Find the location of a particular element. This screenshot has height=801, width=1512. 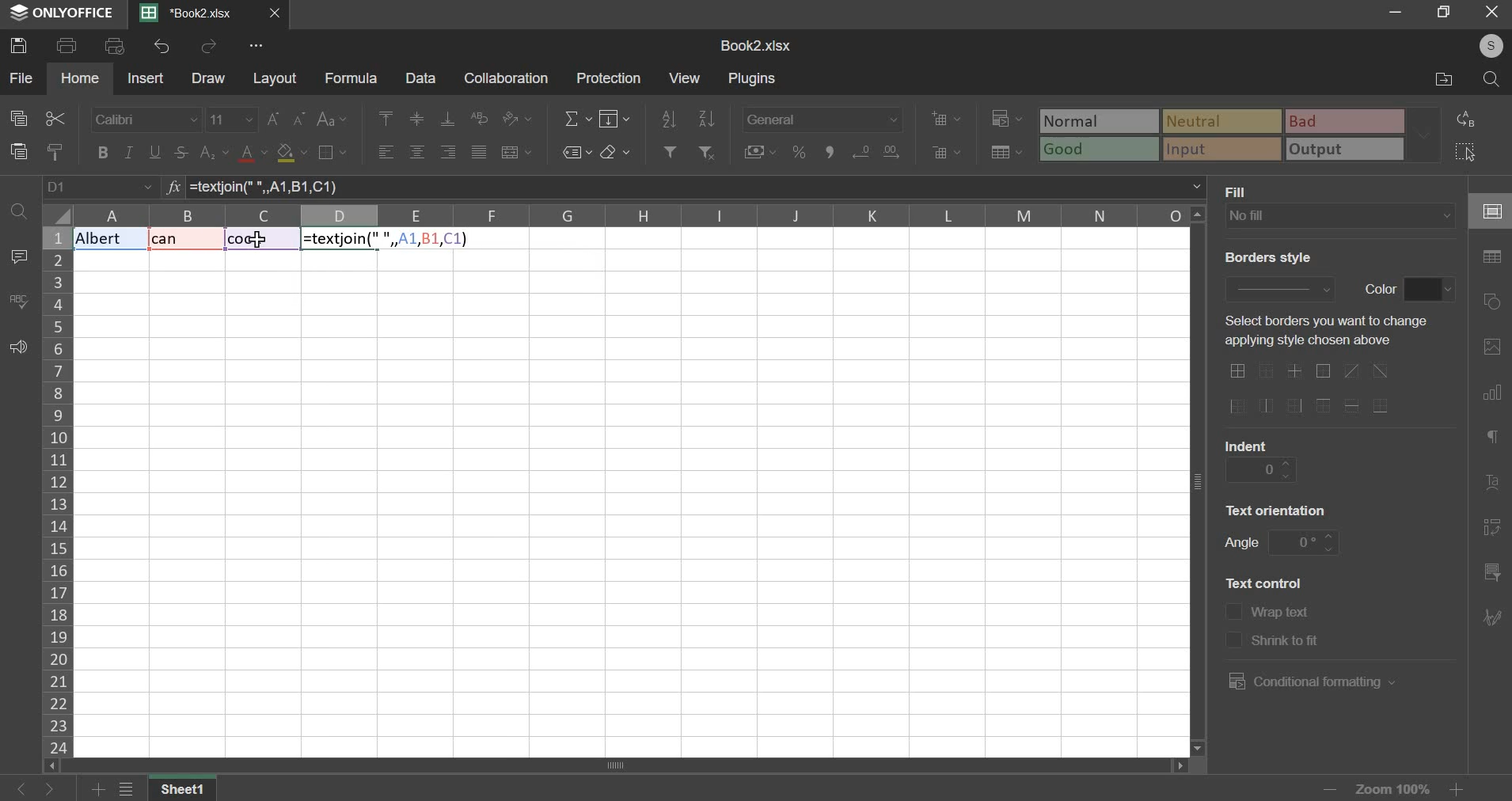

subscript & superscript is located at coordinates (214, 151).